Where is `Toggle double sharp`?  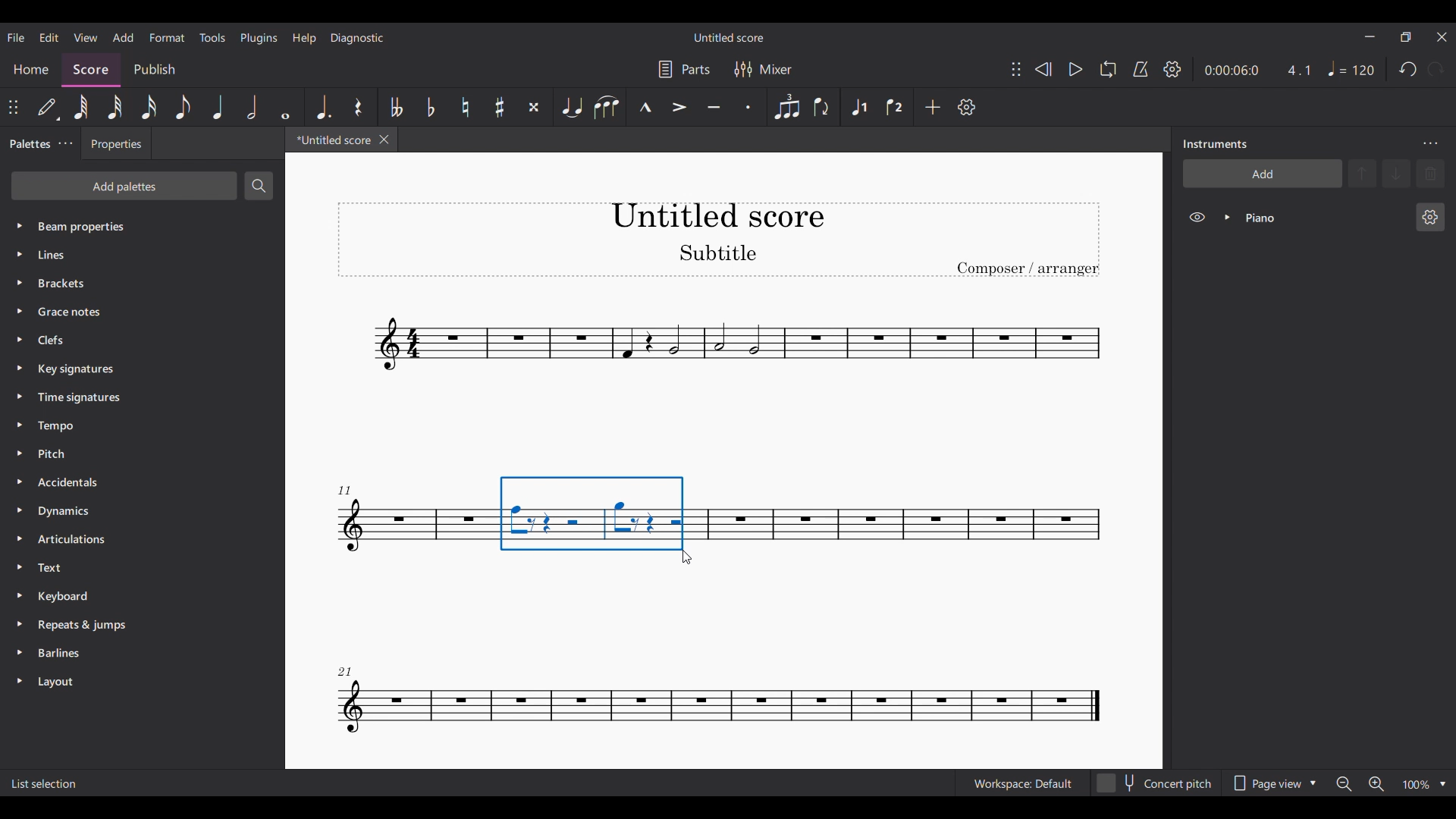
Toggle double sharp is located at coordinates (535, 107).